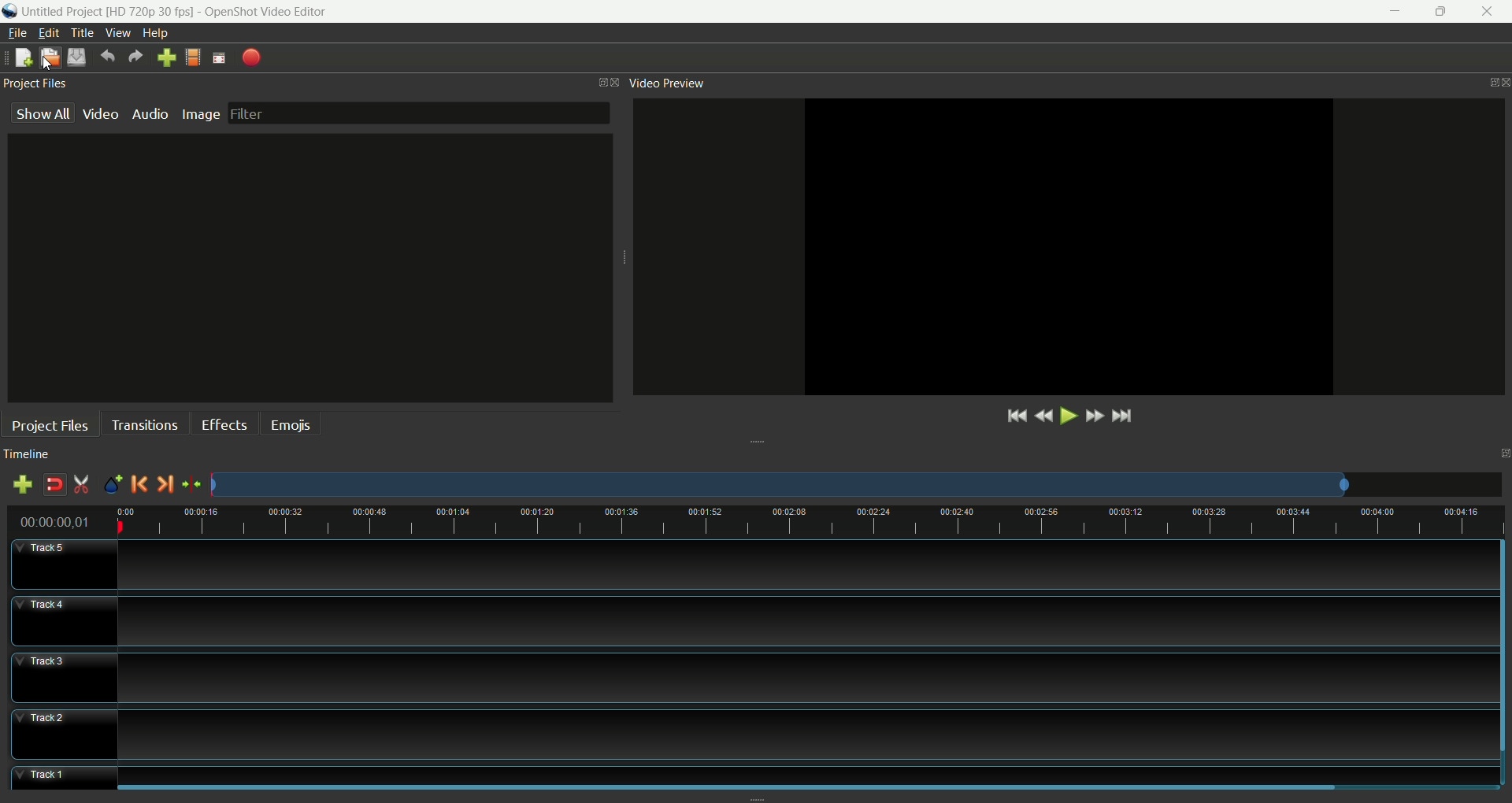 The image size is (1512, 803). I want to click on Close, so click(612, 79).